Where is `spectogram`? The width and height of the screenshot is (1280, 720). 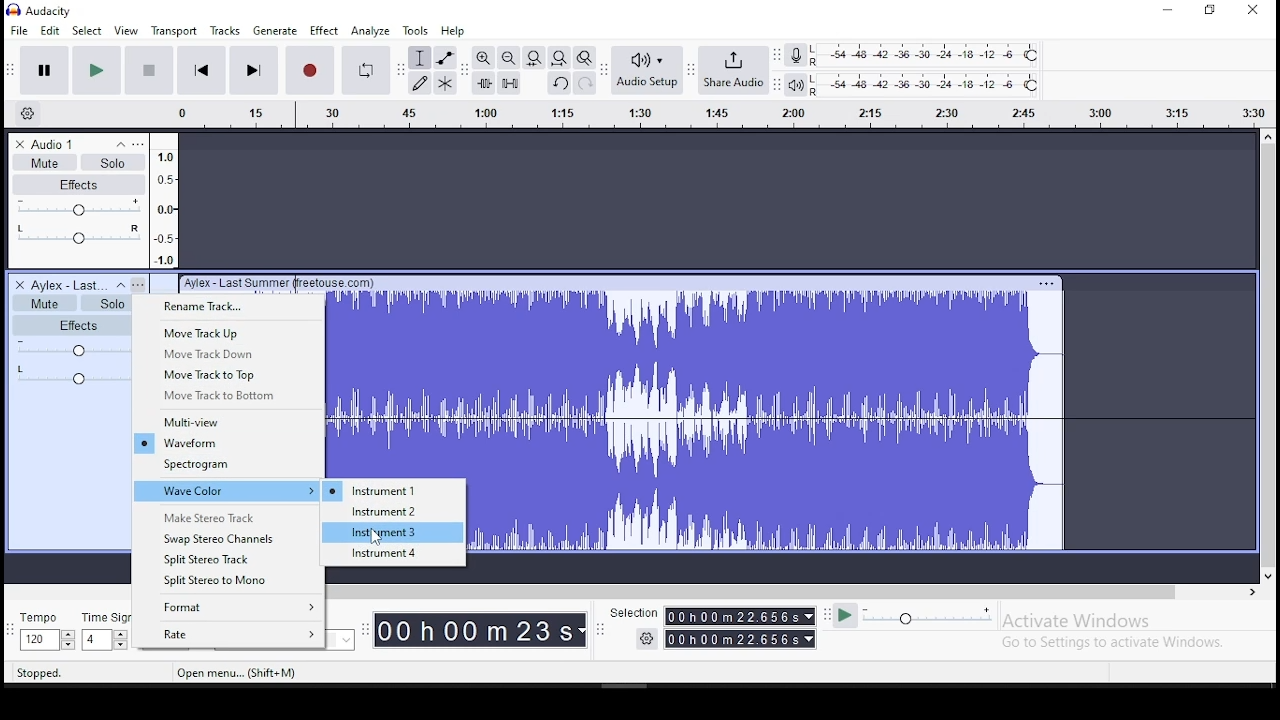
spectogram is located at coordinates (228, 466).